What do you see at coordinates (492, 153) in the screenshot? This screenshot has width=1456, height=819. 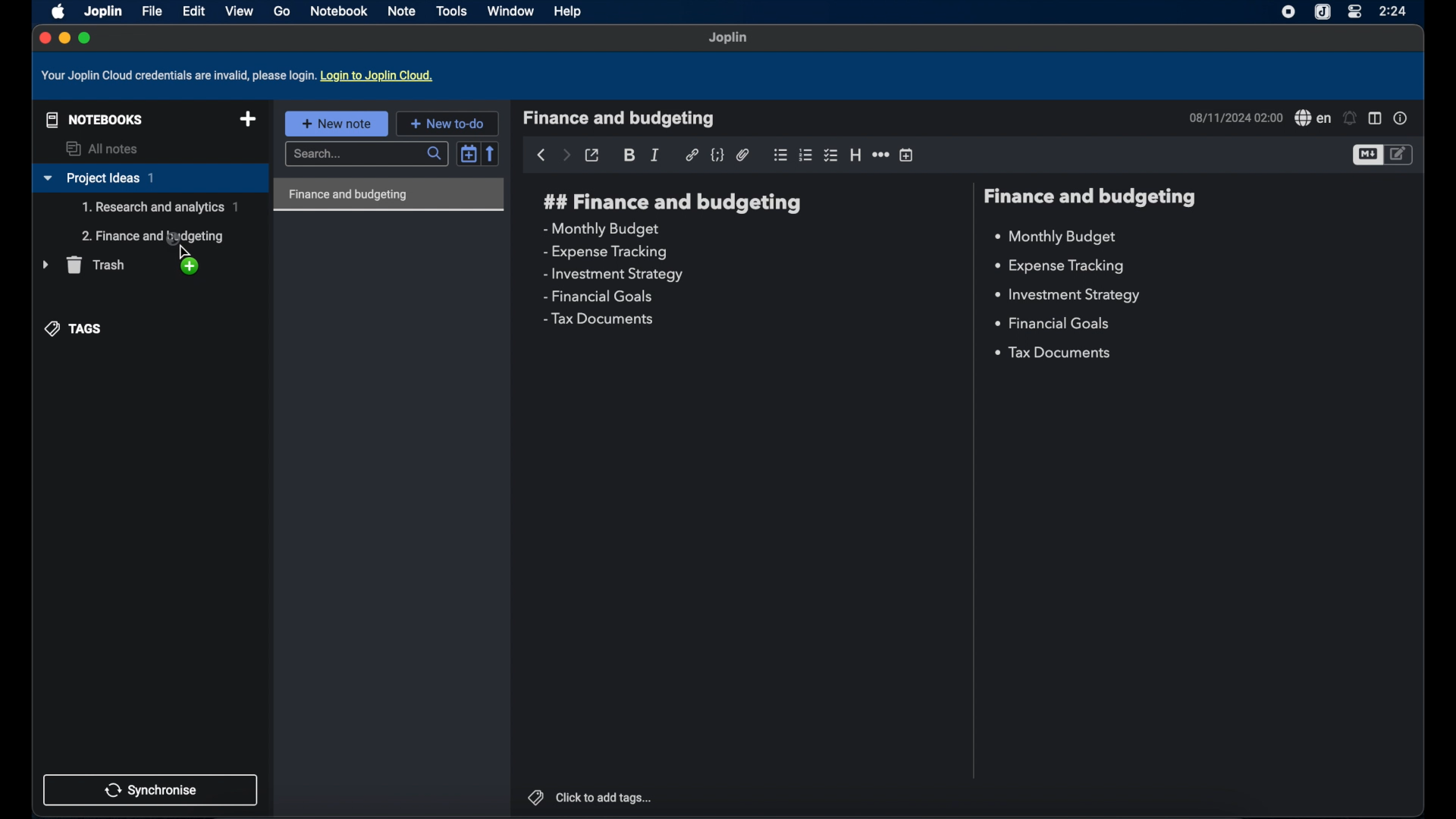 I see `reverse sort order` at bounding box center [492, 153].